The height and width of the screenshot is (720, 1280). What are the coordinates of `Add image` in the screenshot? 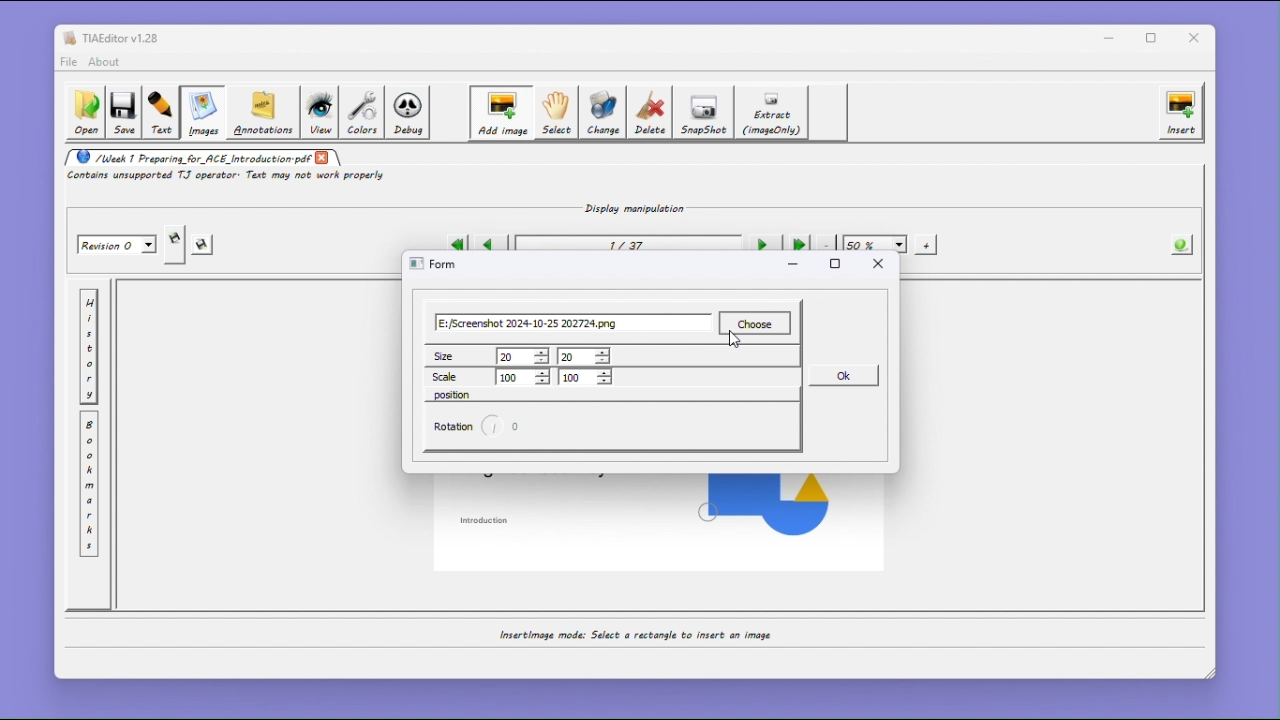 It's located at (500, 113).